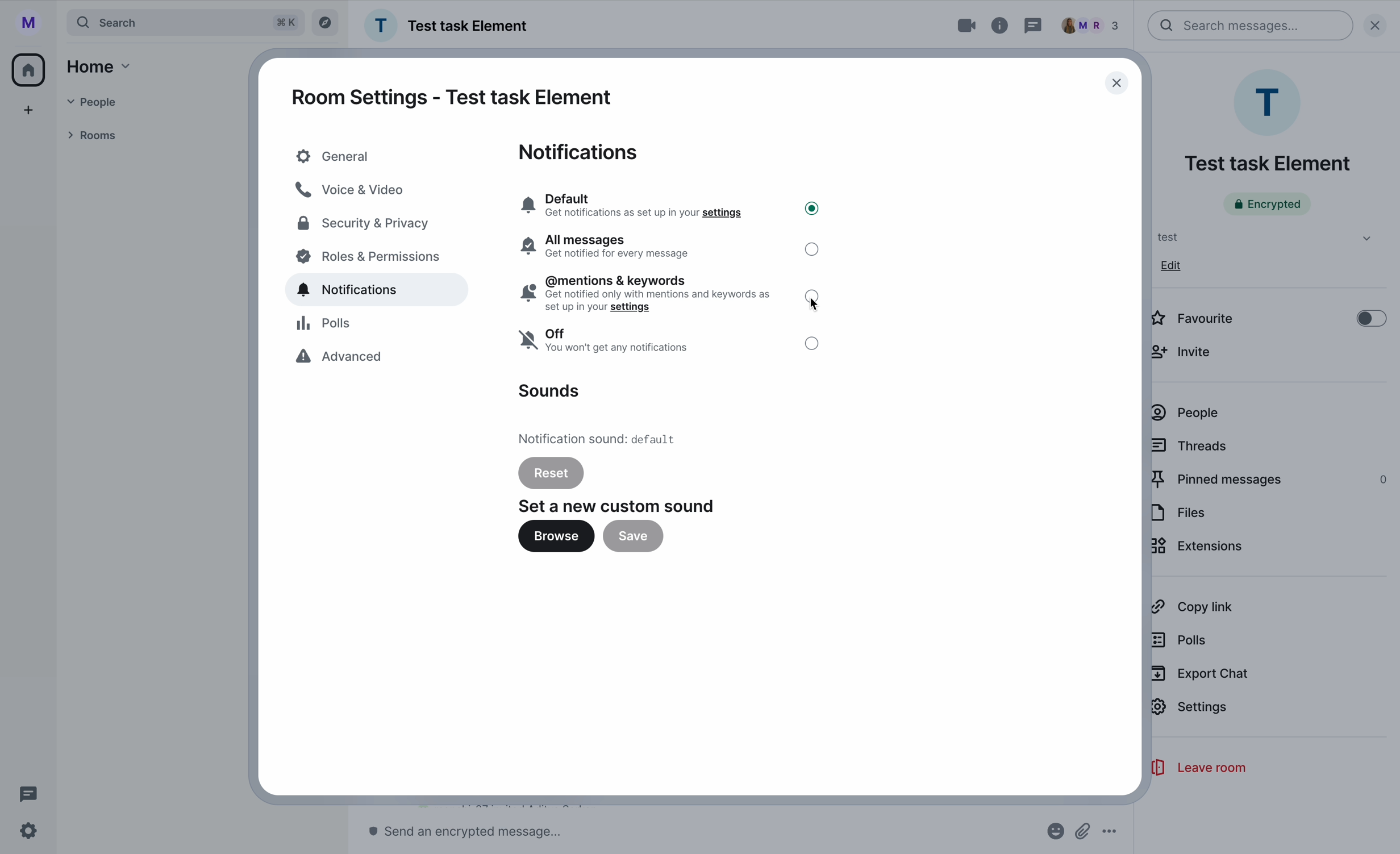 This screenshot has width=1400, height=854. Describe the element at coordinates (1197, 768) in the screenshot. I see `leave room` at that location.